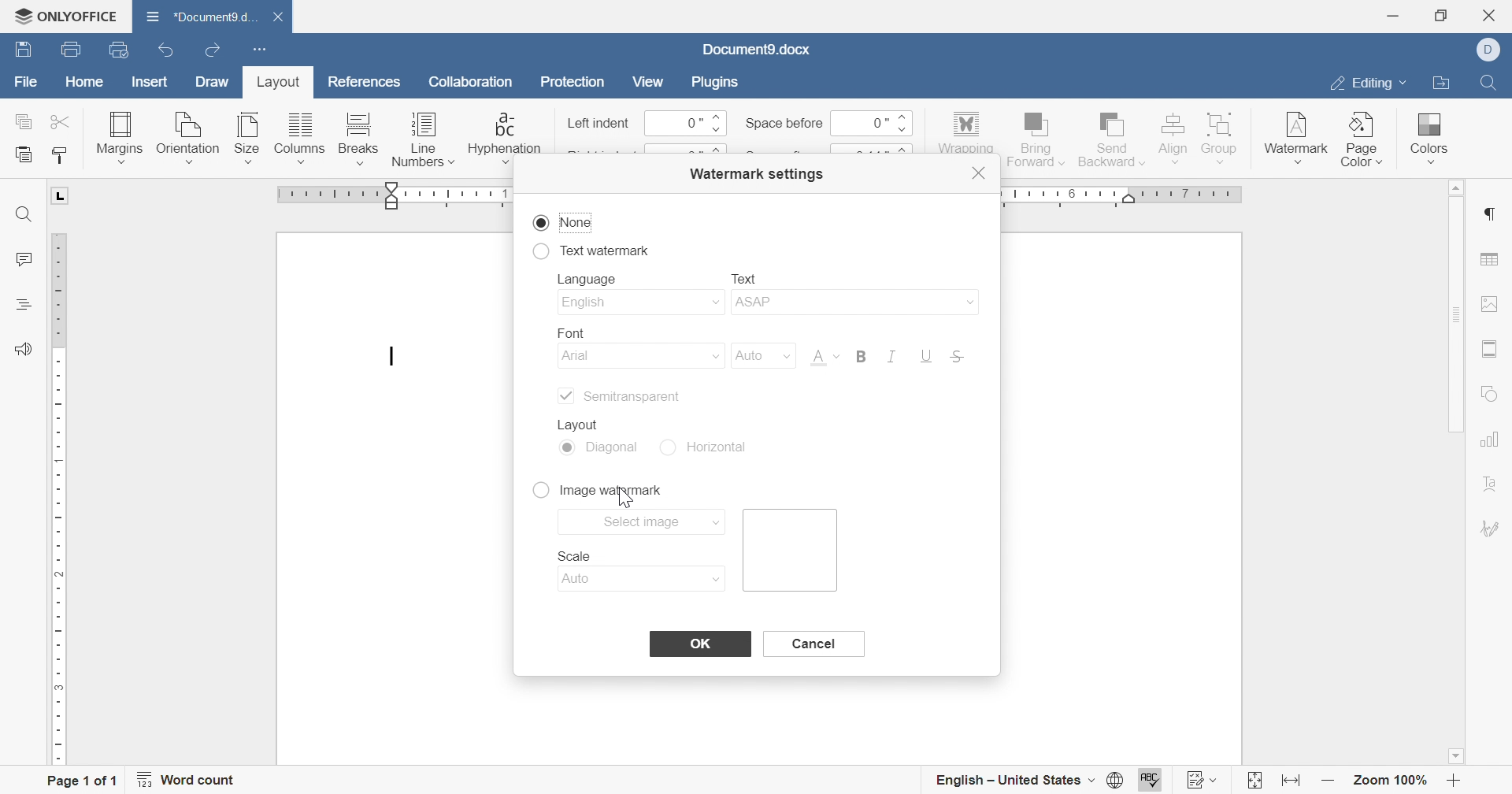 The image size is (1512, 794). Describe the element at coordinates (1288, 784) in the screenshot. I see `fit to width` at that location.